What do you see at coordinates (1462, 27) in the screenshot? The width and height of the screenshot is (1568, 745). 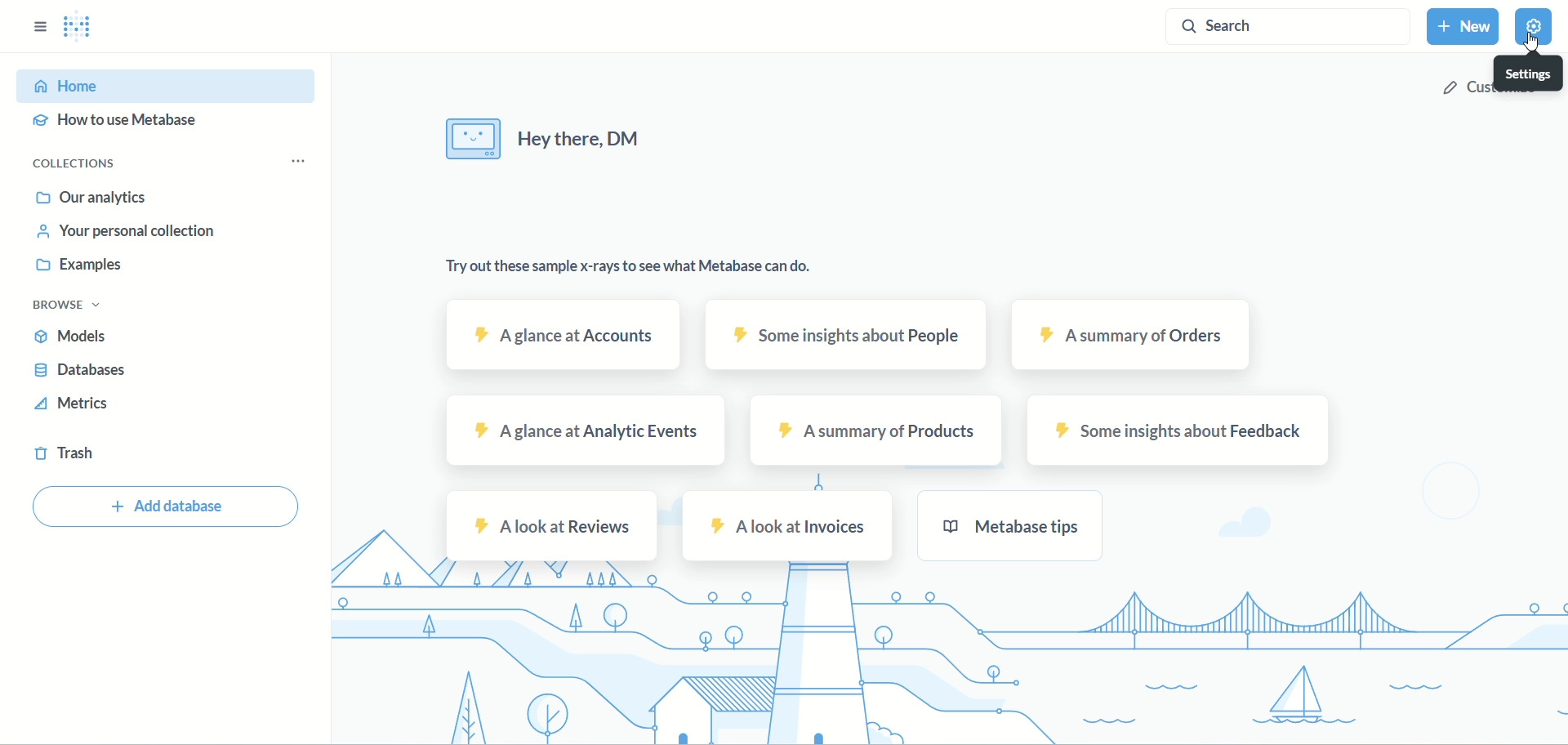 I see `new` at bounding box center [1462, 27].